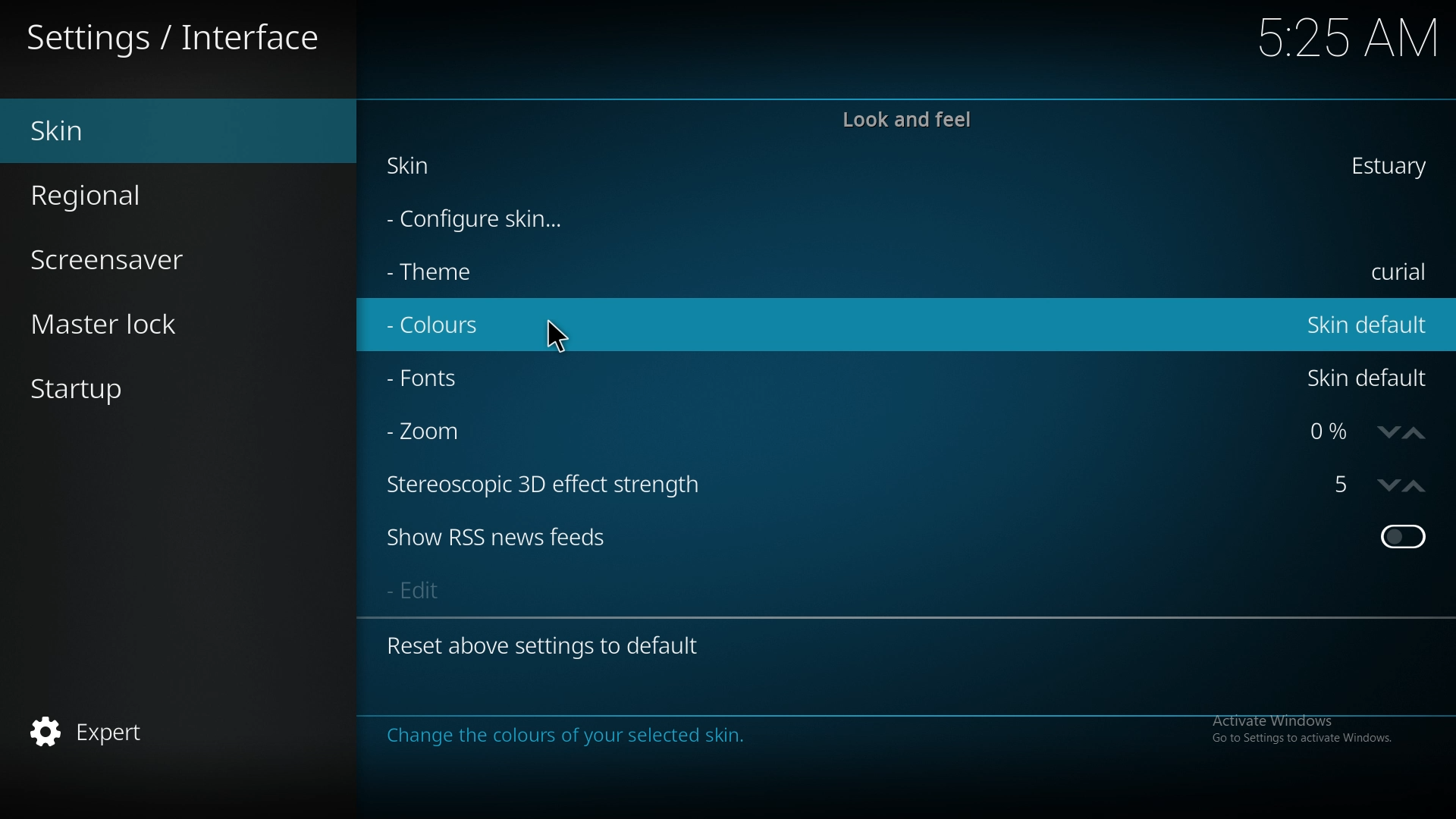  What do you see at coordinates (1386, 486) in the screenshot?
I see `decrease` at bounding box center [1386, 486].